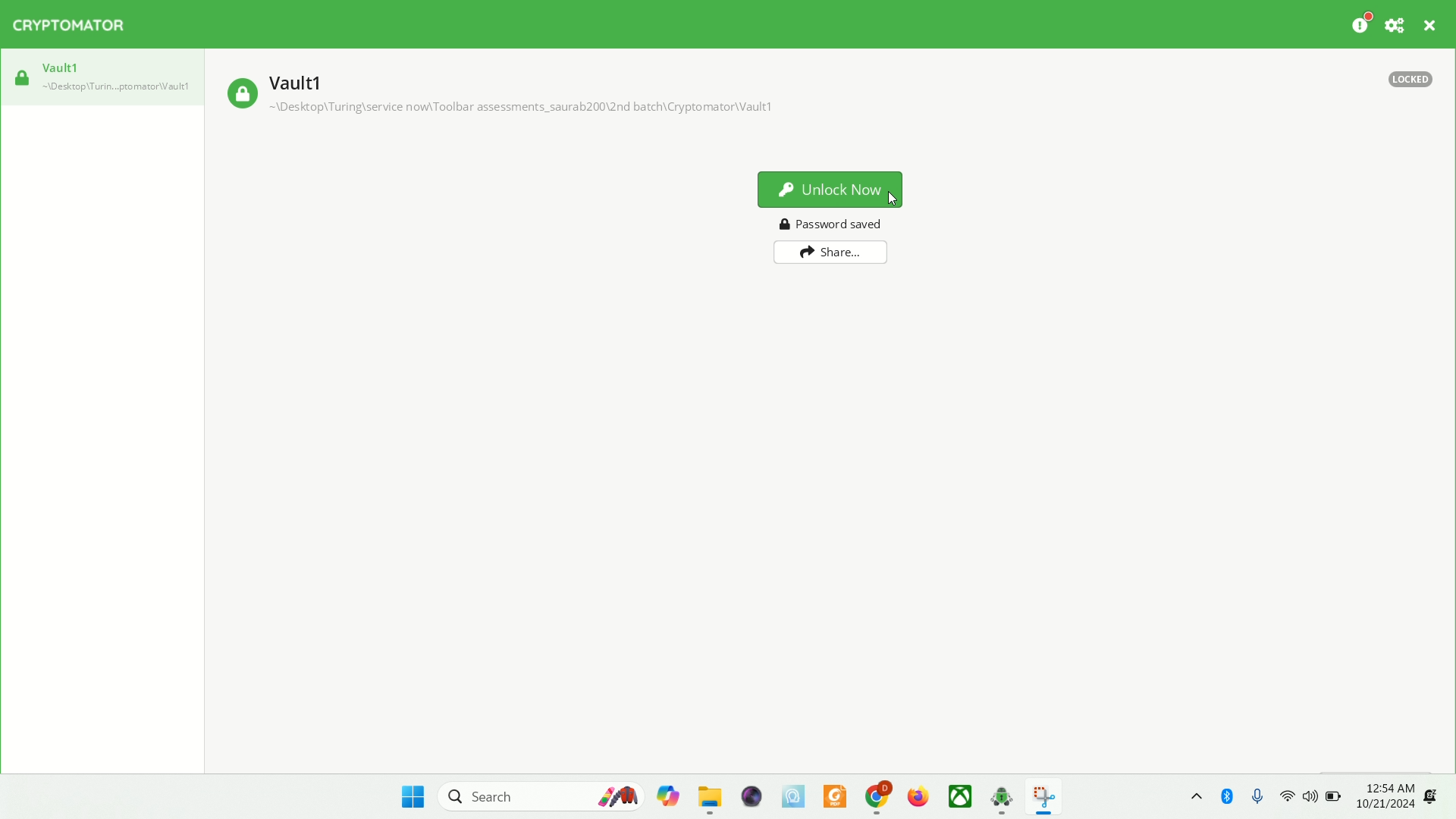 The width and height of the screenshot is (1456, 819). I want to click on copilet, so click(664, 796).